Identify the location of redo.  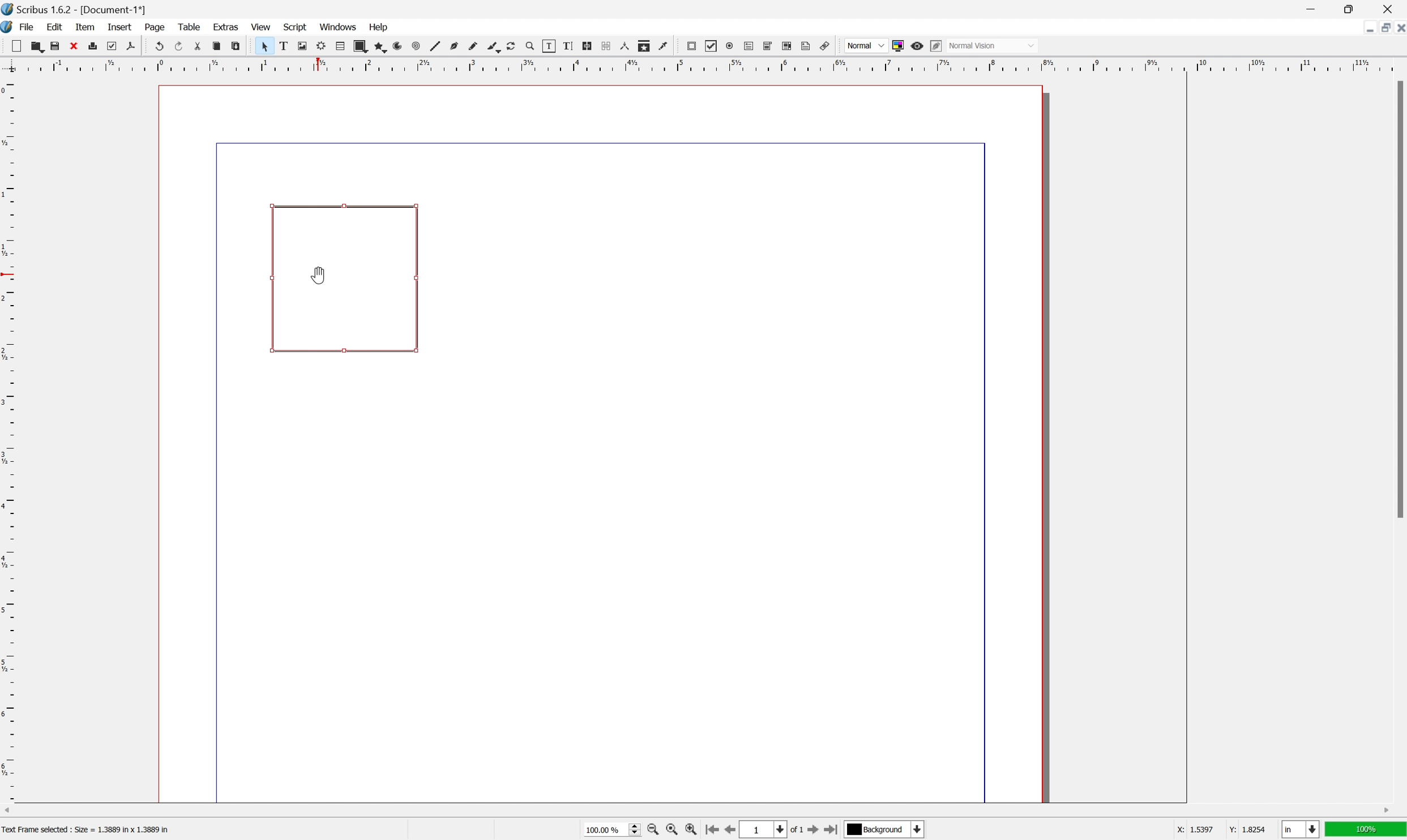
(179, 45).